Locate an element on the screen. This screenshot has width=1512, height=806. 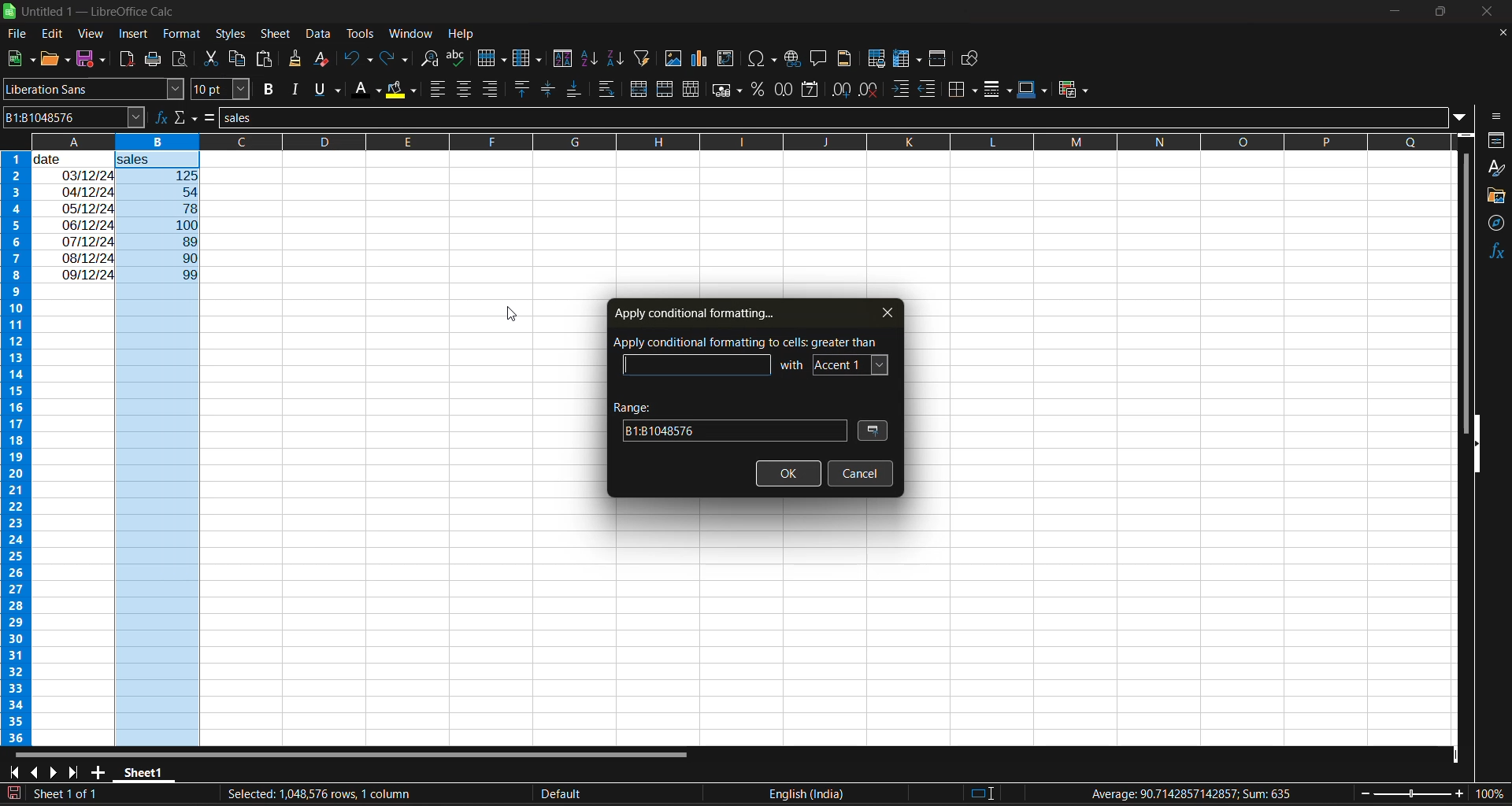
close tab is located at coordinates (881, 312).